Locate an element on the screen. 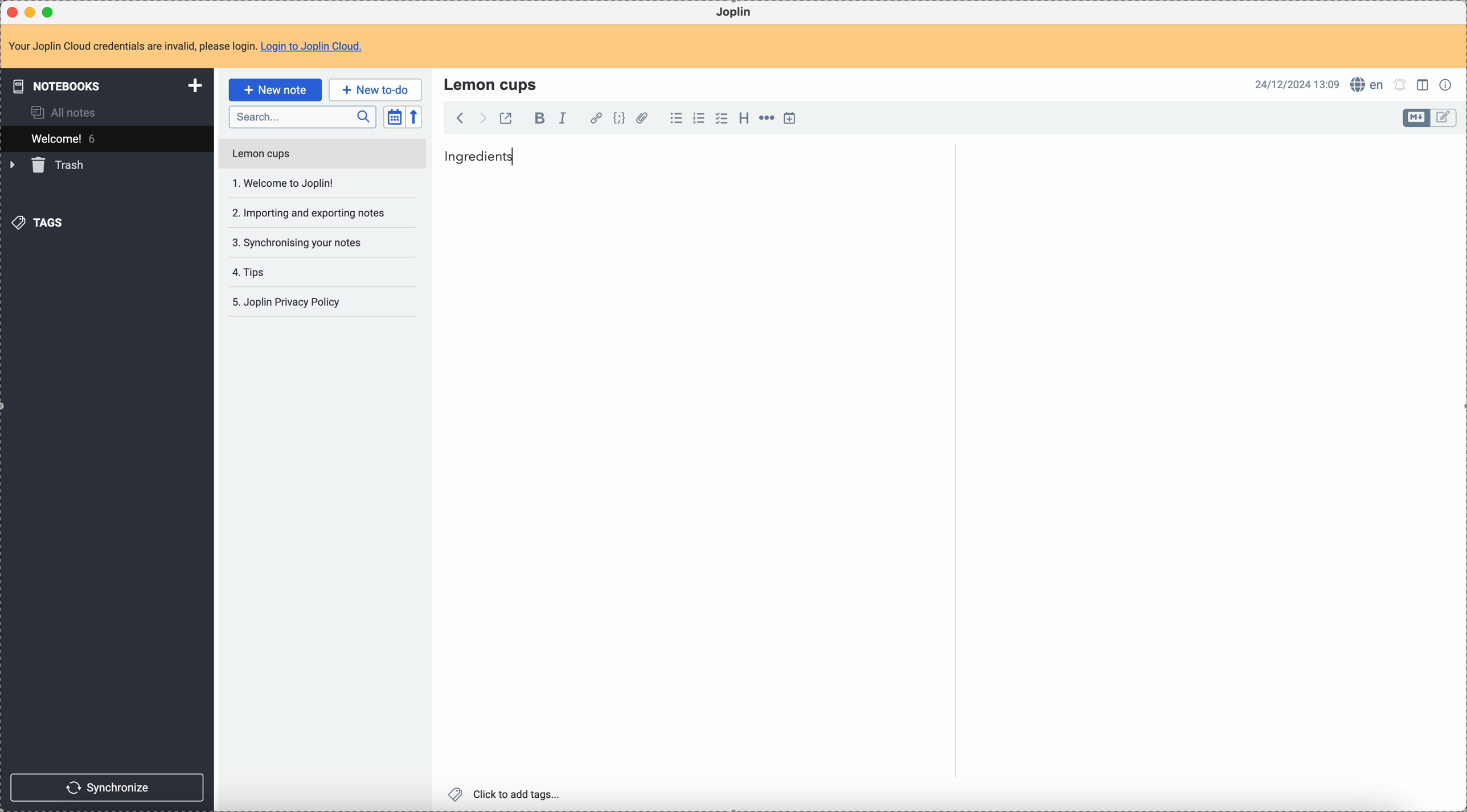 This screenshot has width=1467, height=812. horizontal rule is located at coordinates (765, 120).